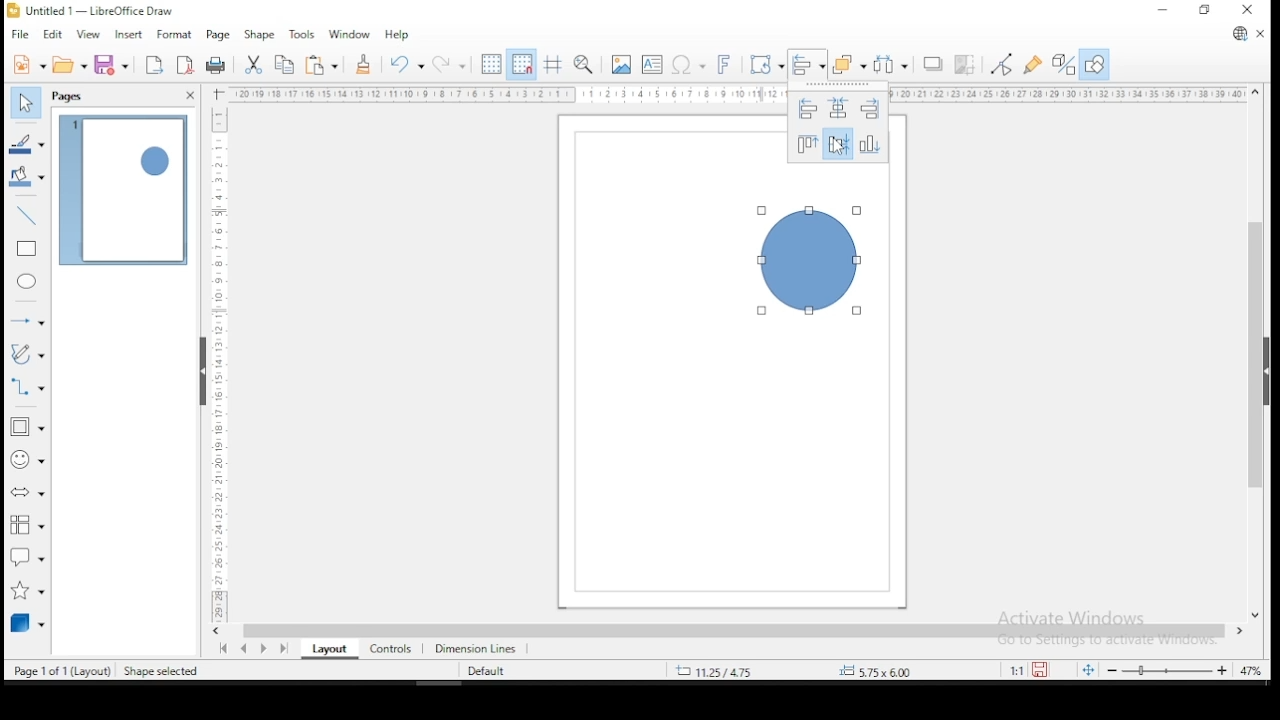  Describe the element at coordinates (1251, 673) in the screenshot. I see `zoom level` at that location.